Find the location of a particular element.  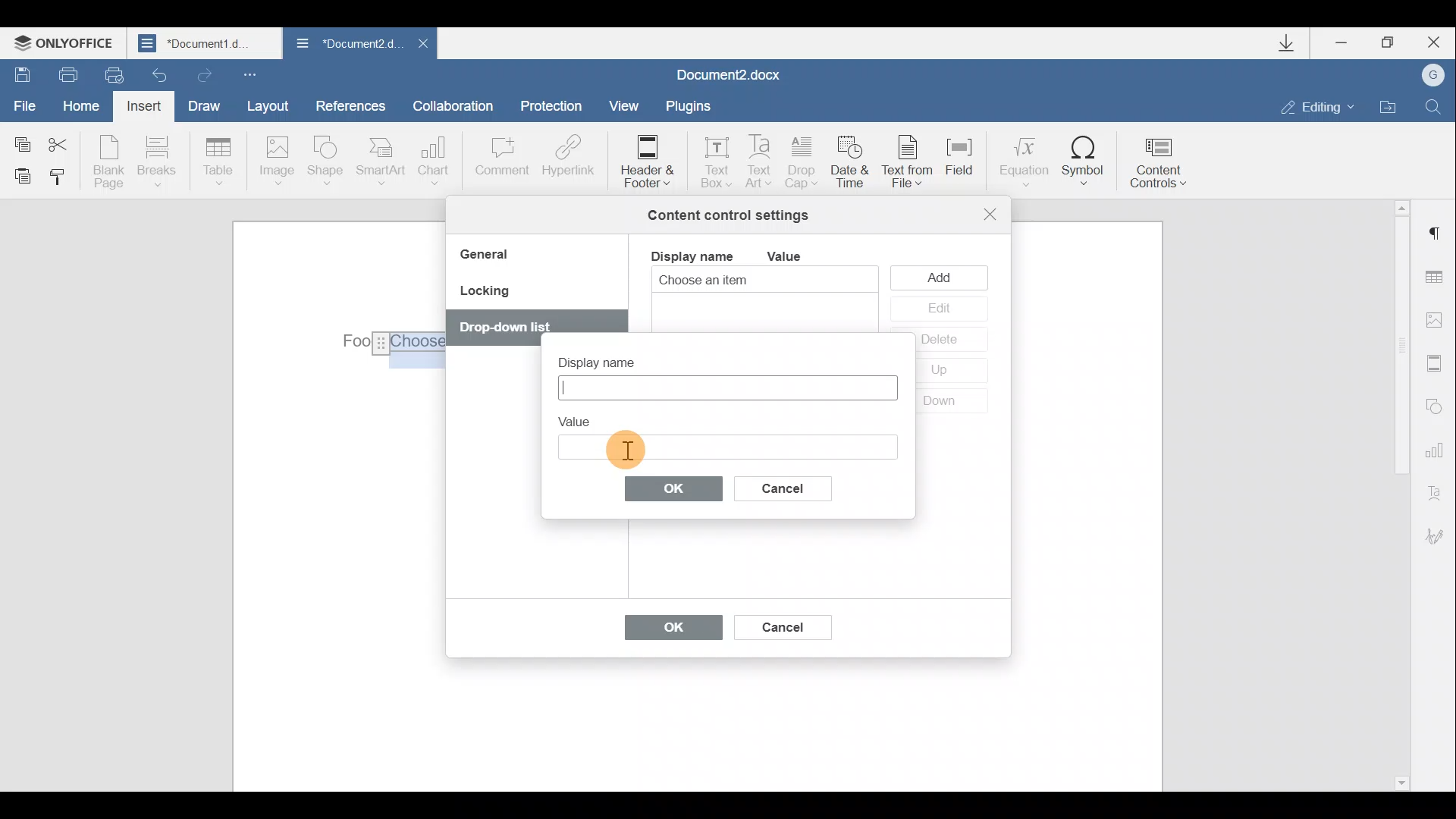

References is located at coordinates (350, 104).